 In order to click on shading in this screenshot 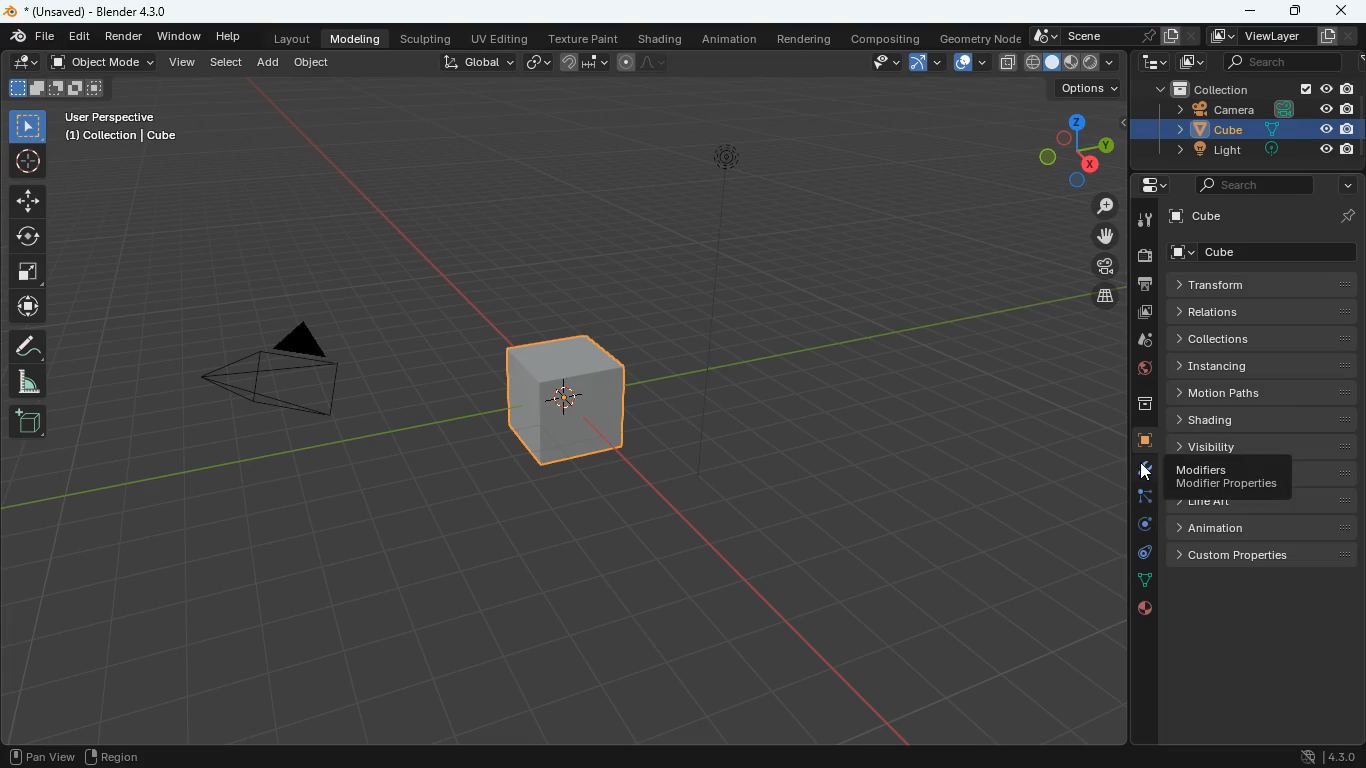, I will do `click(663, 39)`.